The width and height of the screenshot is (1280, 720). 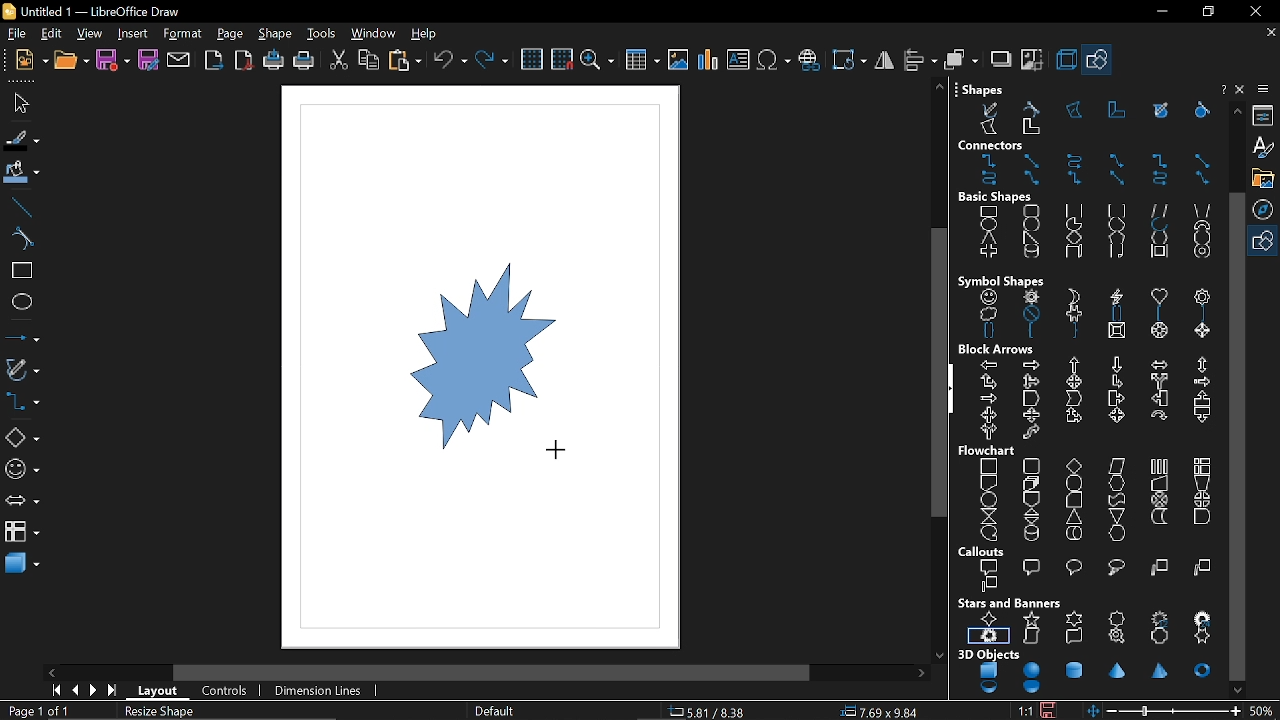 What do you see at coordinates (1252, 11) in the screenshot?
I see `close` at bounding box center [1252, 11].